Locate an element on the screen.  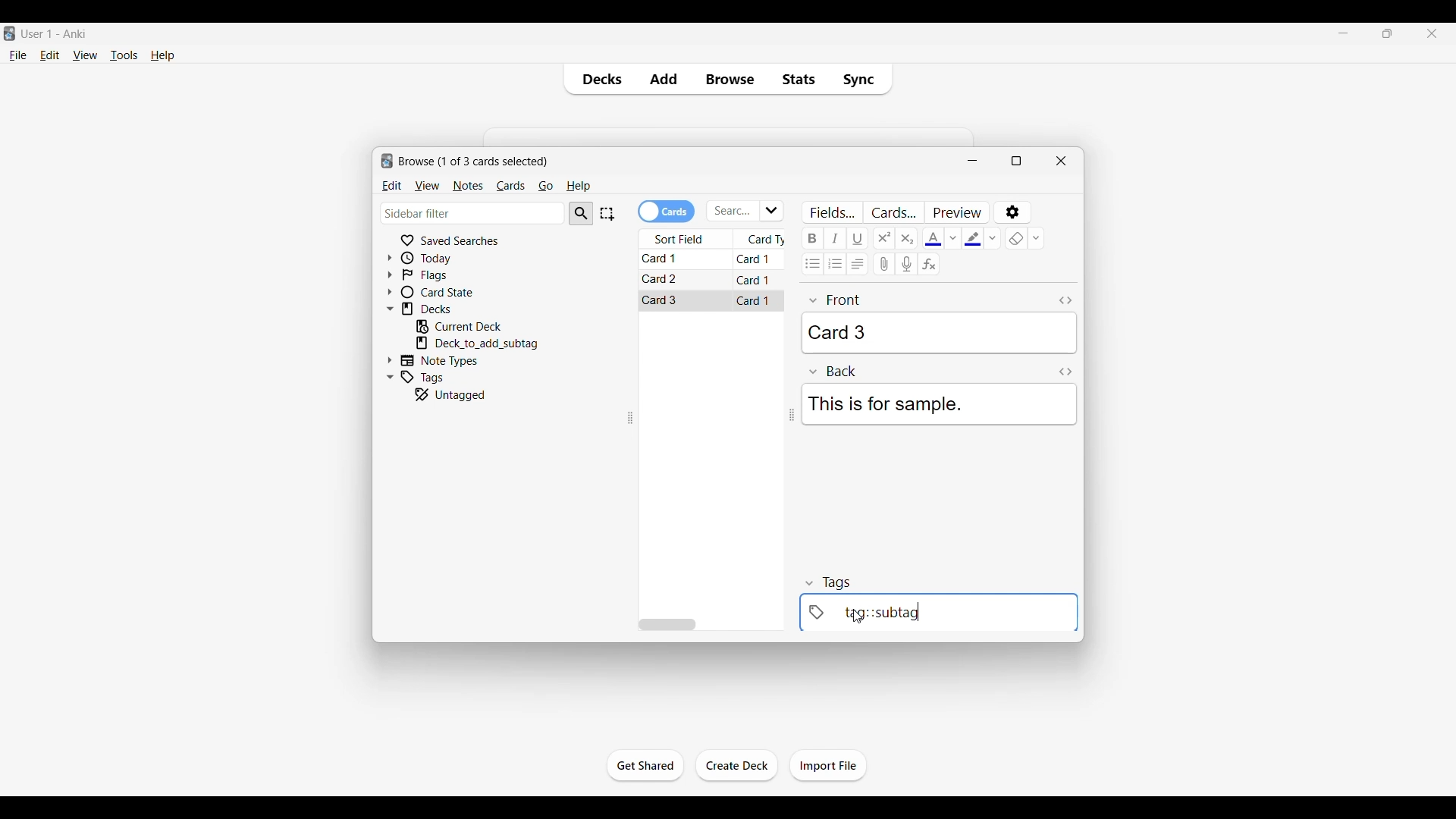
Minimize is located at coordinates (1343, 33).